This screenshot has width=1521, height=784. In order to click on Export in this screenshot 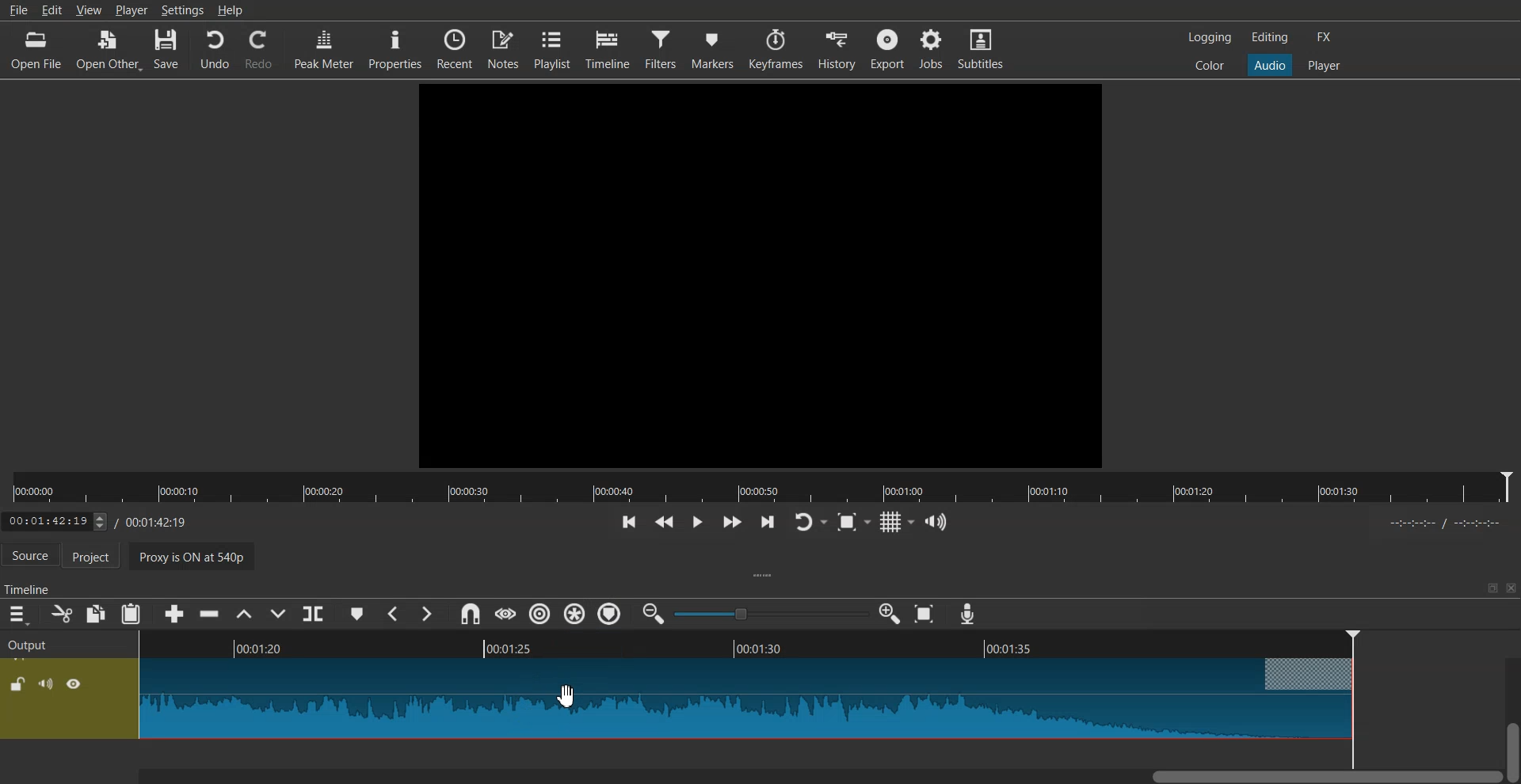, I will do `click(888, 48)`.